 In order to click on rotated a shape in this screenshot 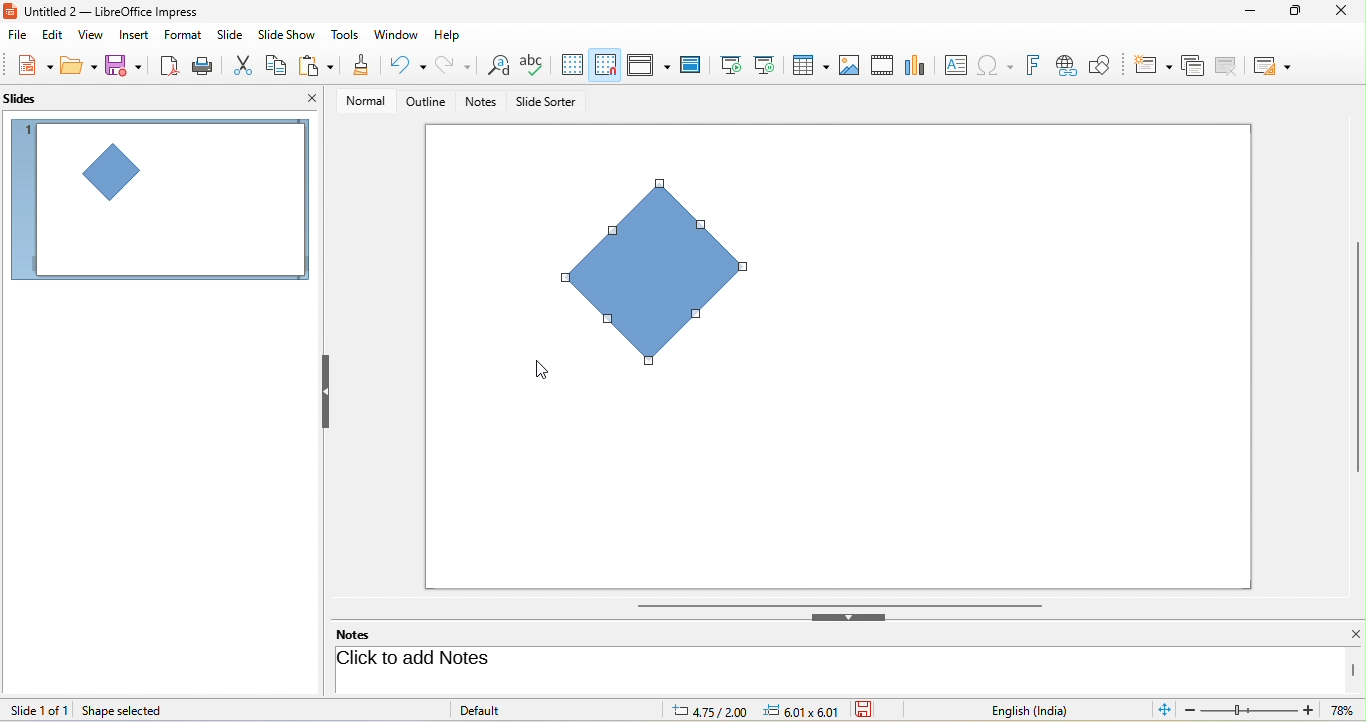, I will do `click(158, 199)`.